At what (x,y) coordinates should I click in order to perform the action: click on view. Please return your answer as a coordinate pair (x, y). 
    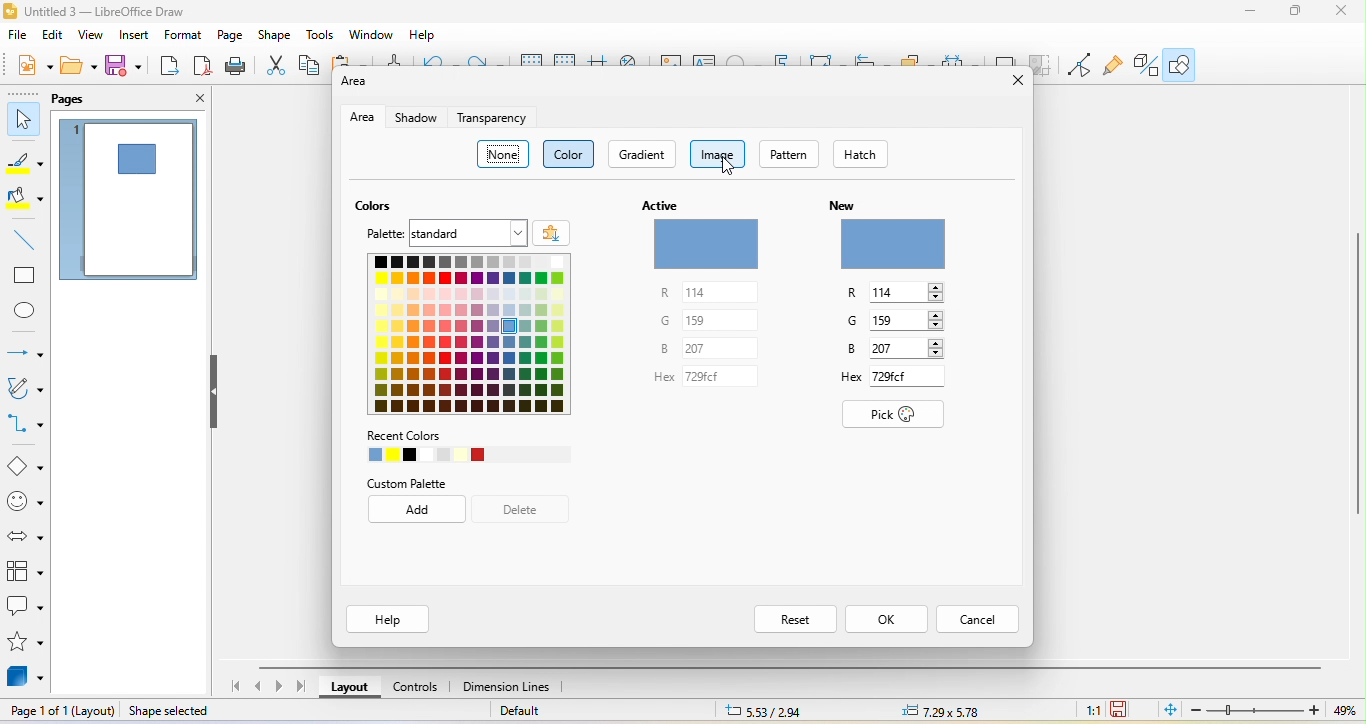
    Looking at the image, I should click on (95, 37).